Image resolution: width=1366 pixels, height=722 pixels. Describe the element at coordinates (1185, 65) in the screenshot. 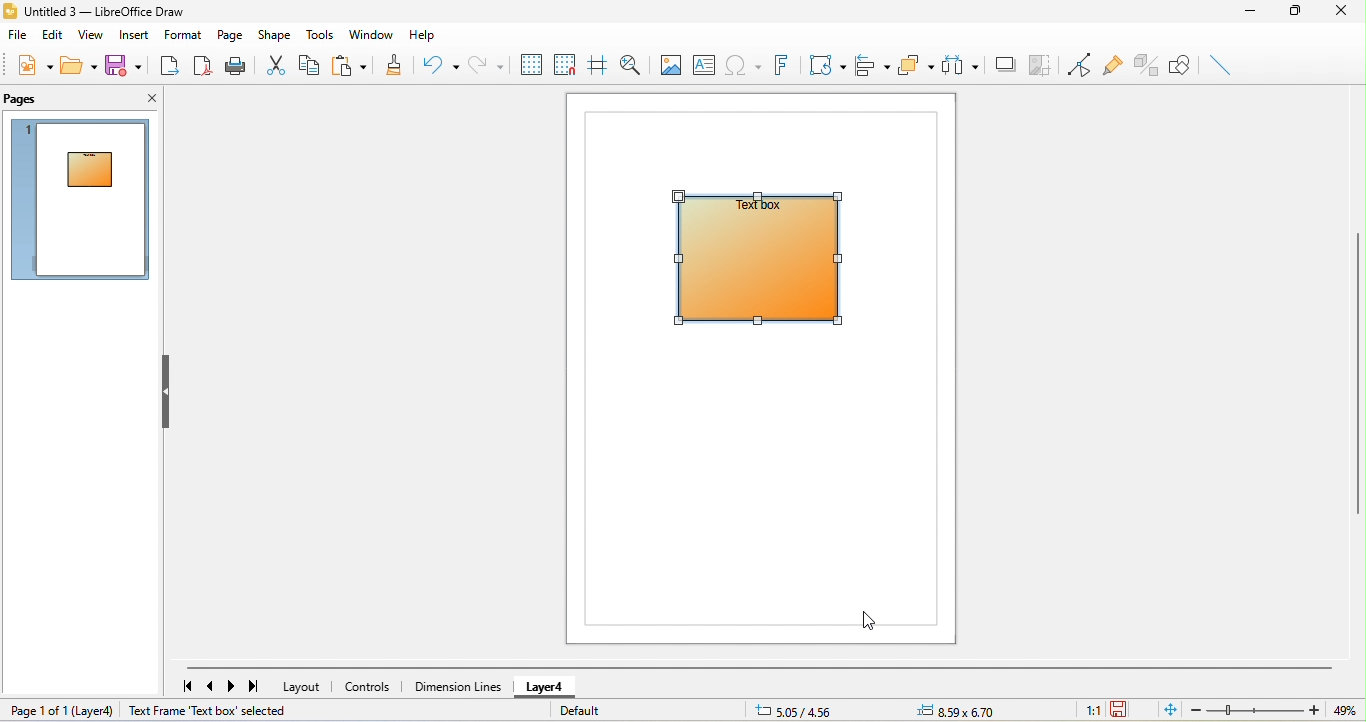

I see `show draw function` at that location.